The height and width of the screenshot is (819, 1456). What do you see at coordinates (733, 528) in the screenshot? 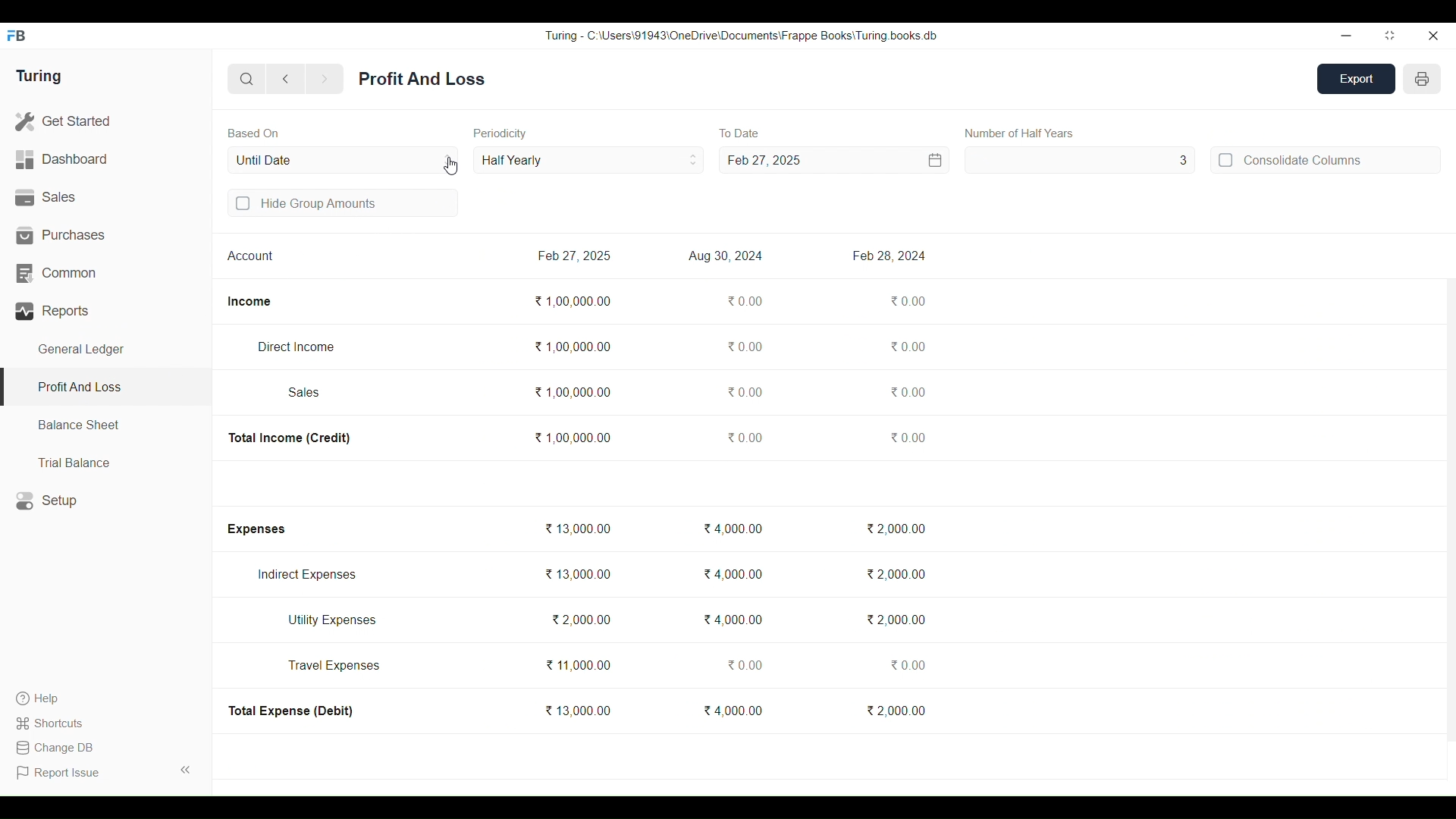
I see `4,000.00` at bounding box center [733, 528].